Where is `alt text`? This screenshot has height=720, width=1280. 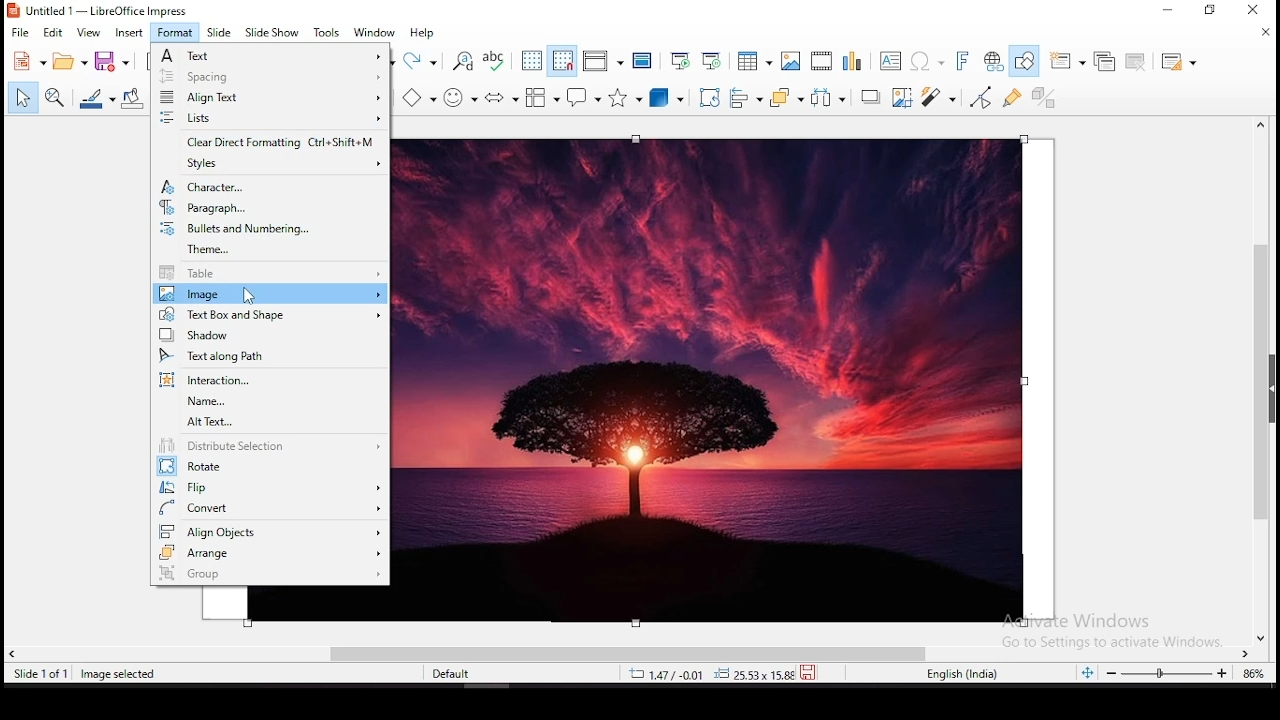 alt text is located at coordinates (272, 423).